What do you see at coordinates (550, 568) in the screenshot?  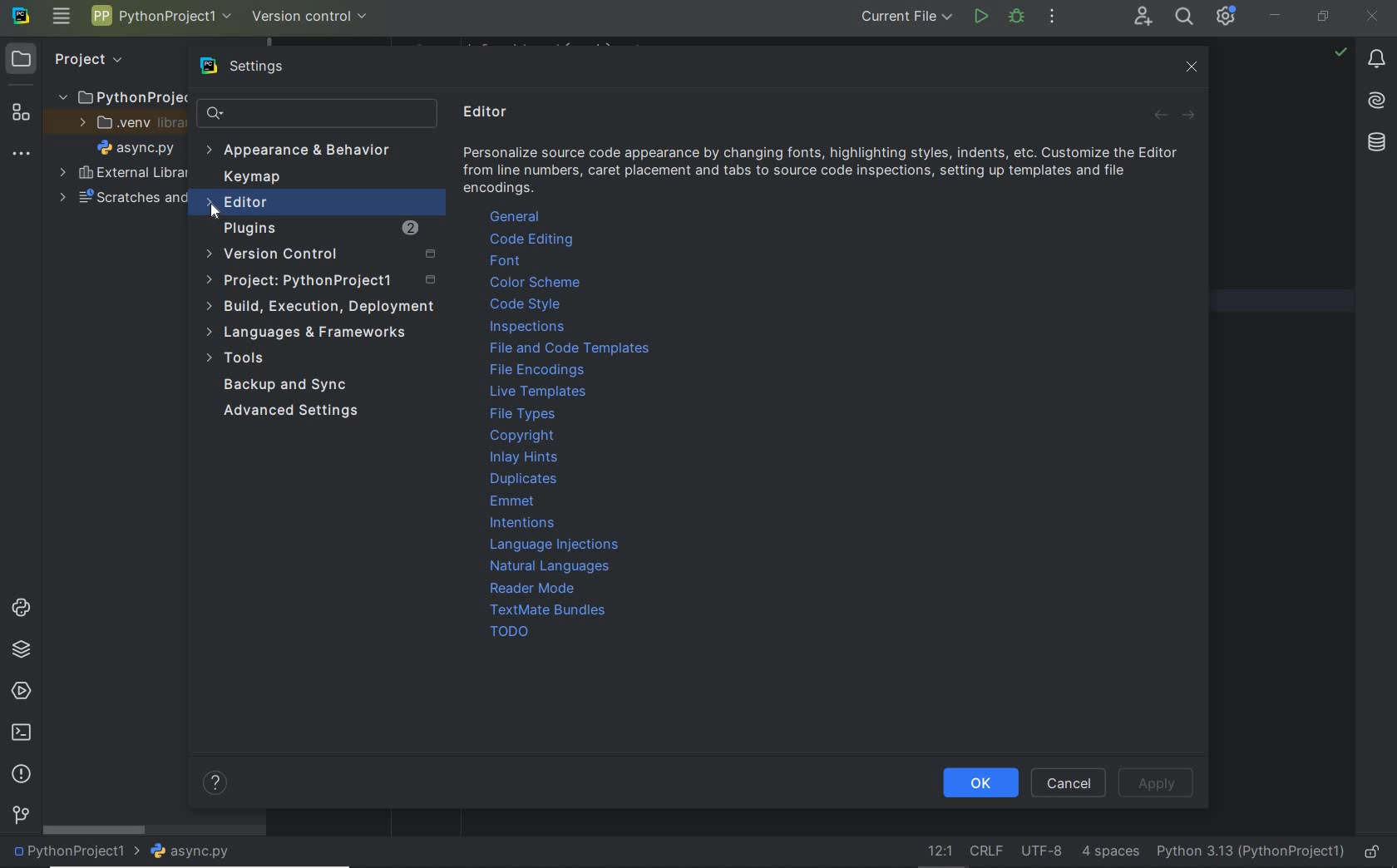 I see `Natural Languages` at bounding box center [550, 568].